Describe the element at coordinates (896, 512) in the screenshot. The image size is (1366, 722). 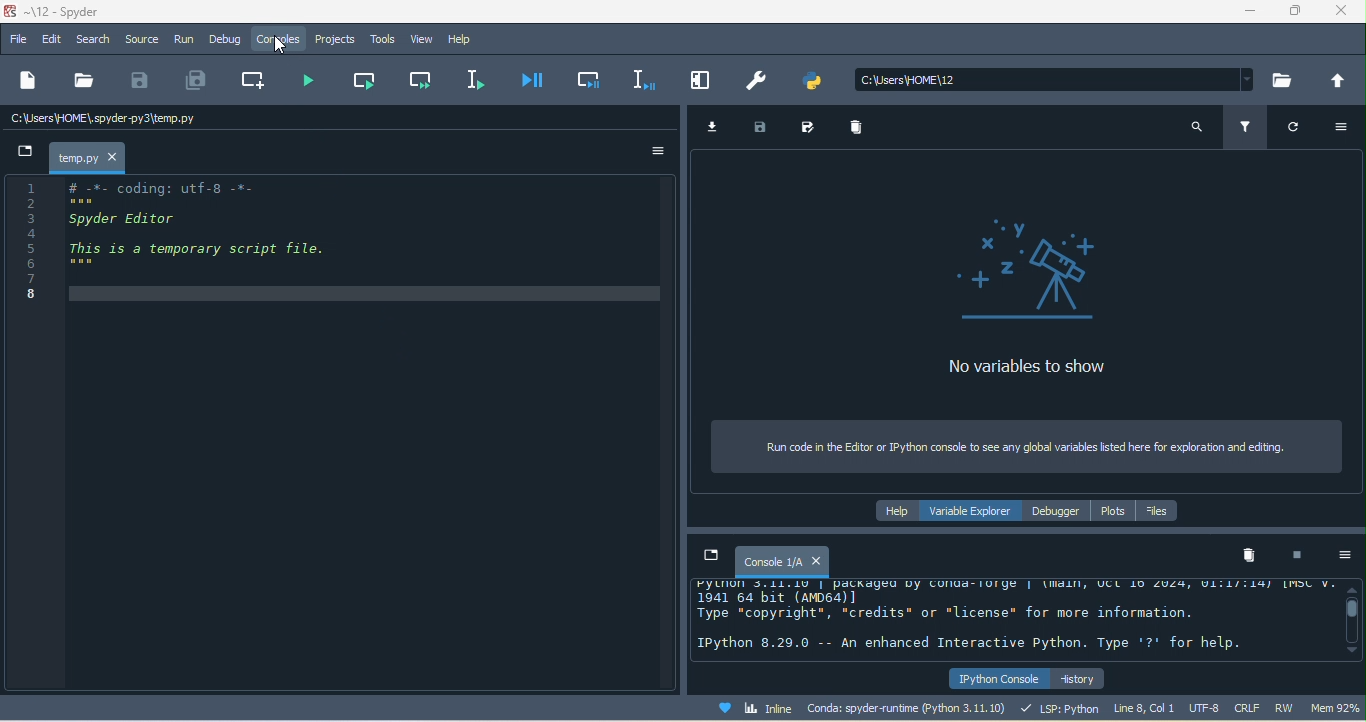
I see `help` at that location.